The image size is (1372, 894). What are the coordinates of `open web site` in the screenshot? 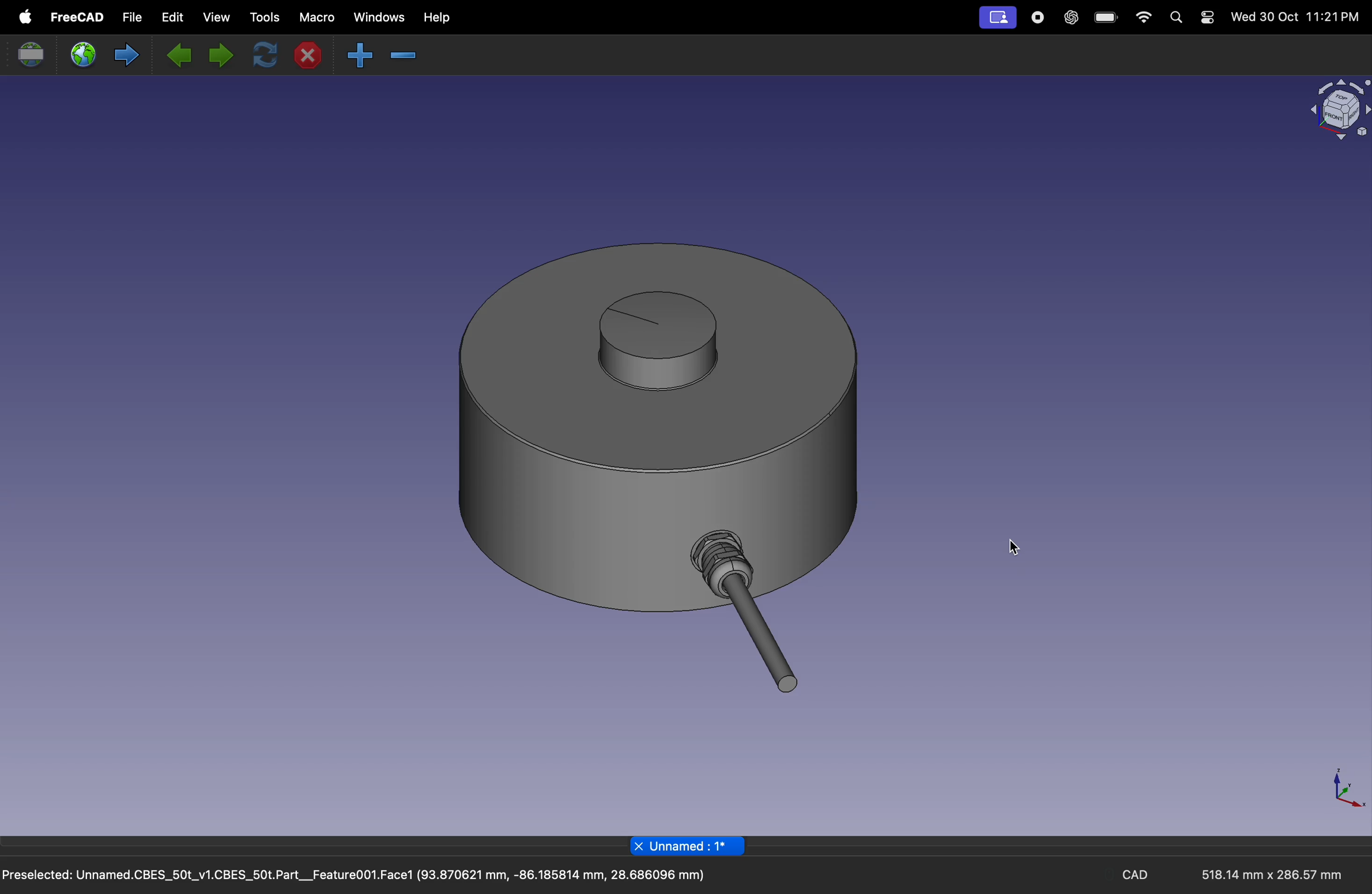 It's located at (82, 54).